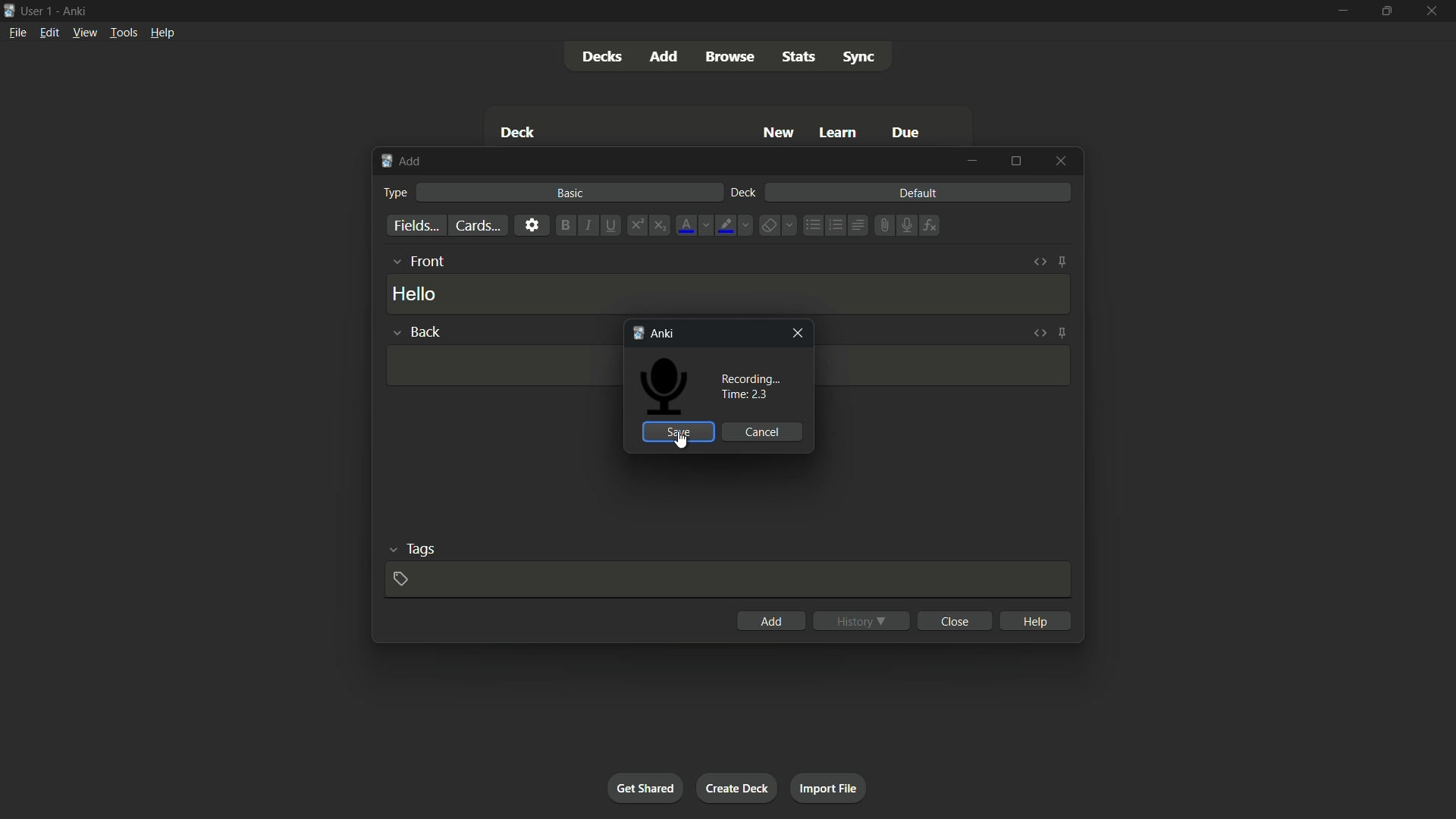  Describe the element at coordinates (664, 384) in the screenshot. I see `Icon` at that location.